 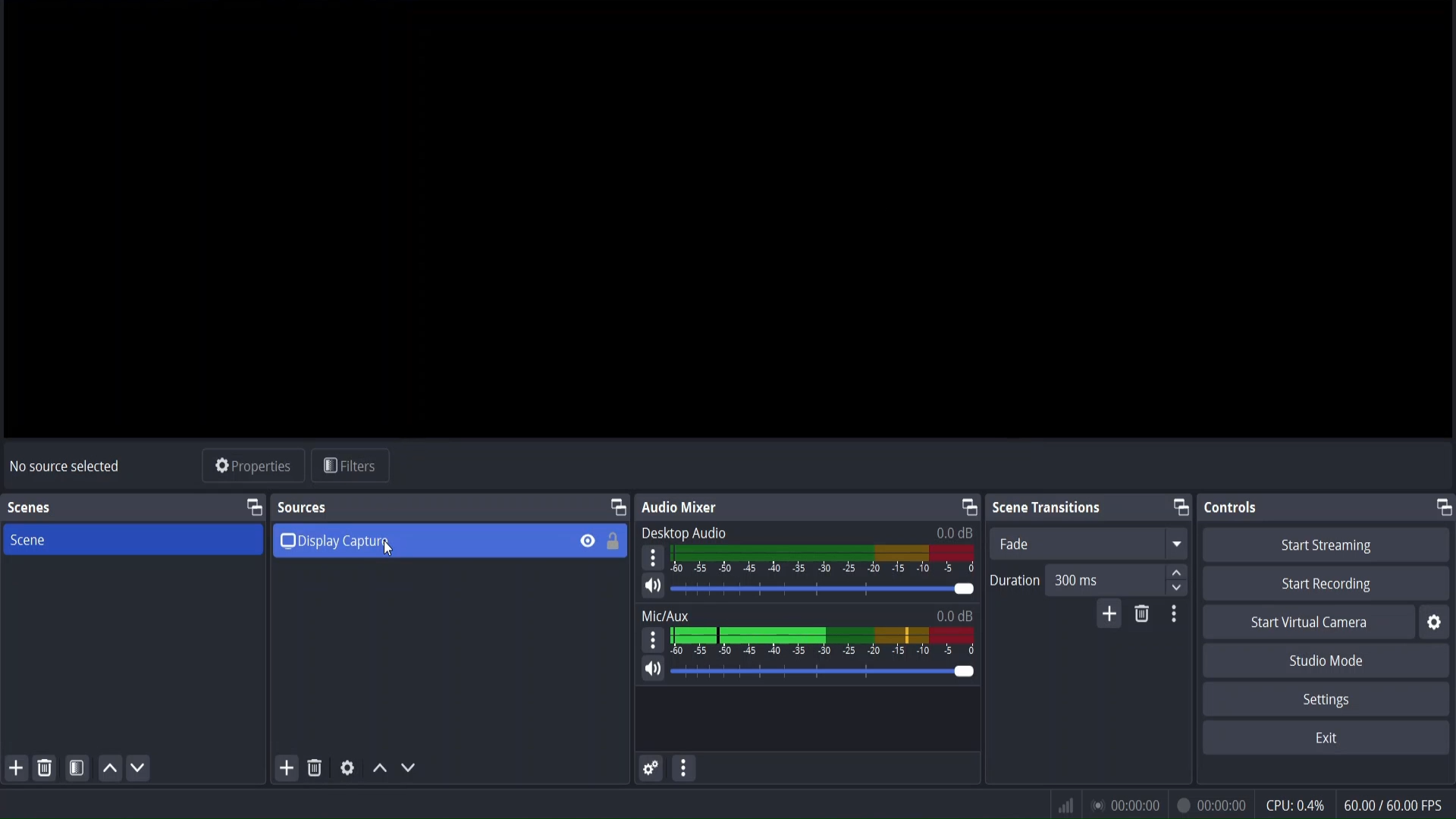 What do you see at coordinates (28, 541) in the screenshot?
I see `scene` at bounding box center [28, 541].